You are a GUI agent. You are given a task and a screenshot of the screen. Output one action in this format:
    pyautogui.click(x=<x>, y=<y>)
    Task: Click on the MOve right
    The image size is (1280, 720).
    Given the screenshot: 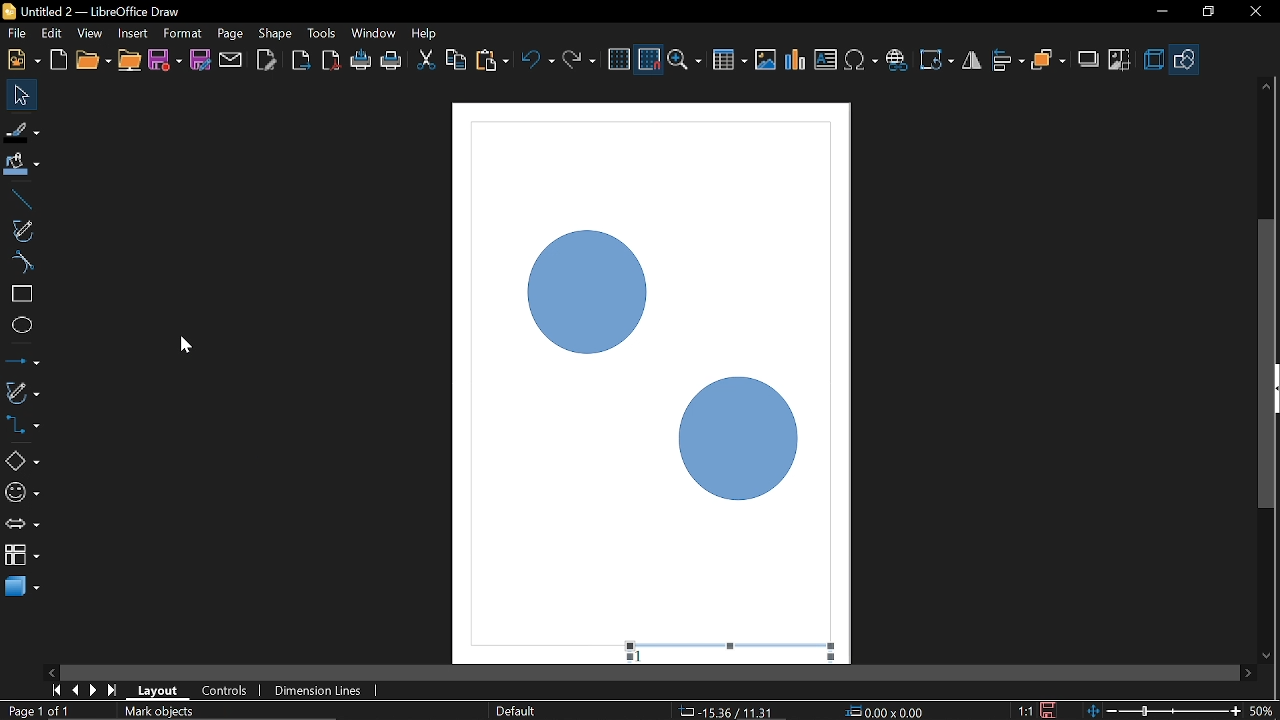 What is the action you would take?
    pyautogui.click(x=1248, y=672)
    